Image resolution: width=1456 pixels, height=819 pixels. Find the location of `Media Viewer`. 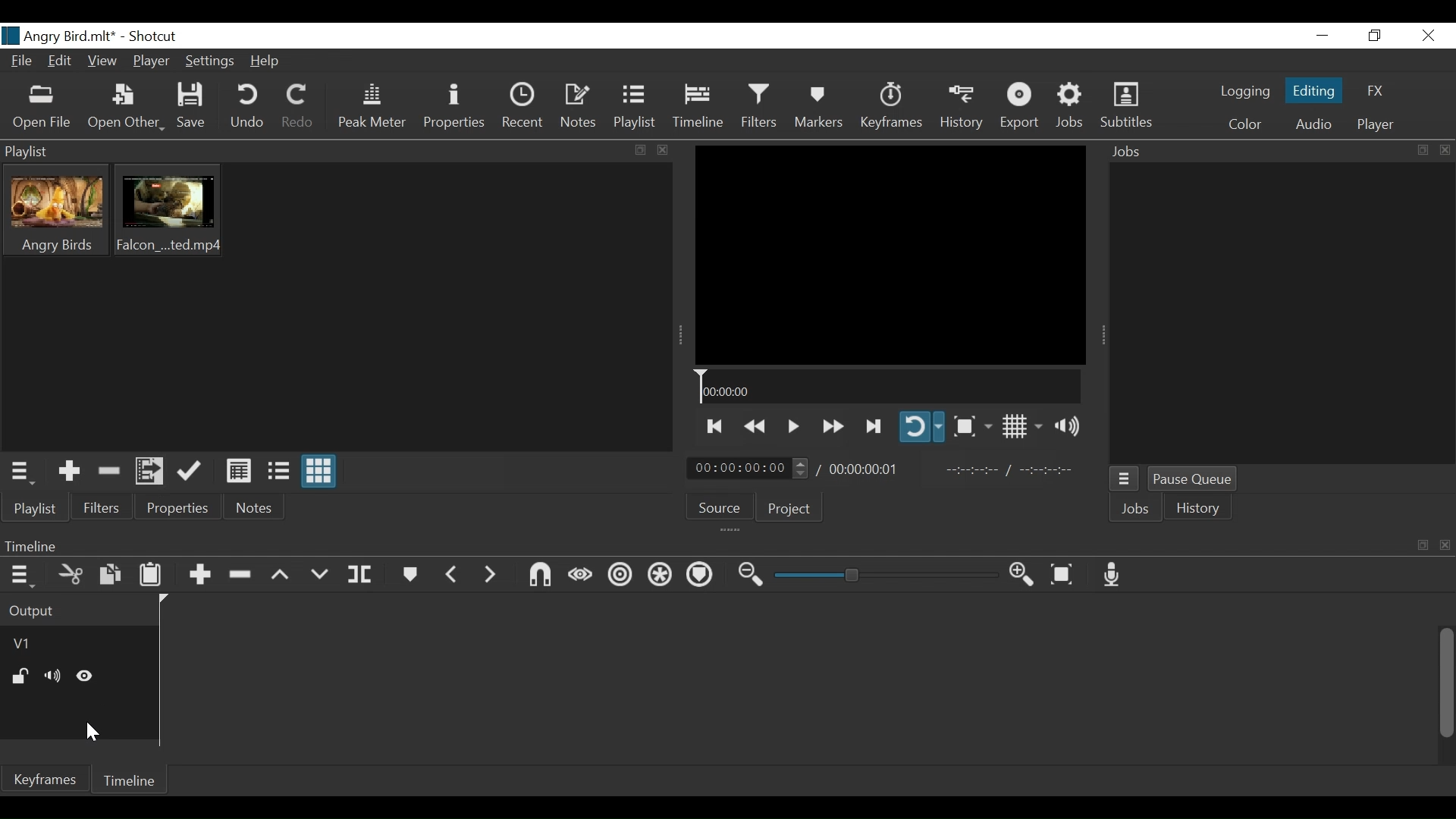

Media Viewer is located at coordinates (890, 255).